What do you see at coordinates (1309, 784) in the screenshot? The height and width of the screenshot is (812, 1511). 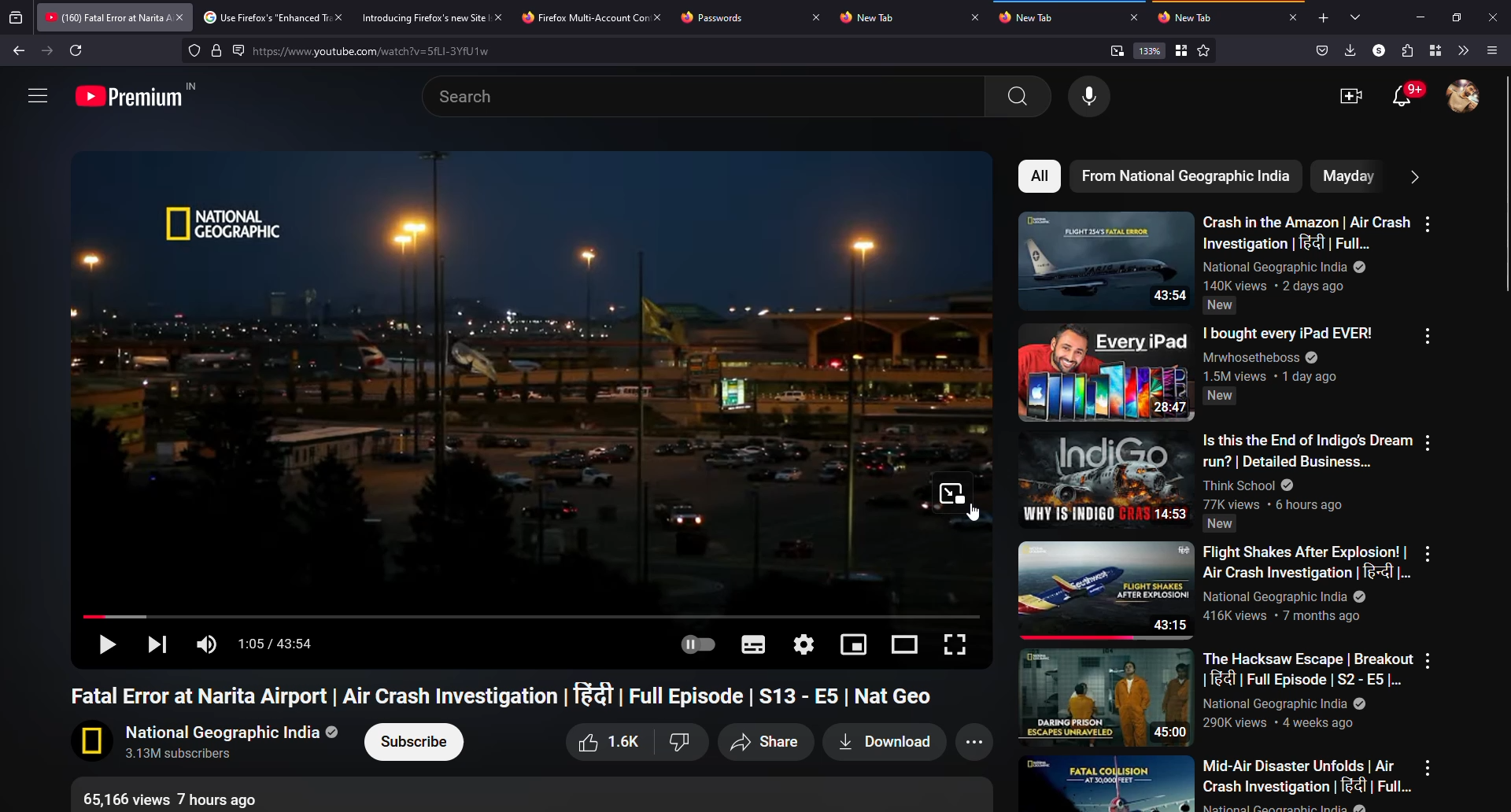 I see `video text description` at bounding box center [1309, 784].